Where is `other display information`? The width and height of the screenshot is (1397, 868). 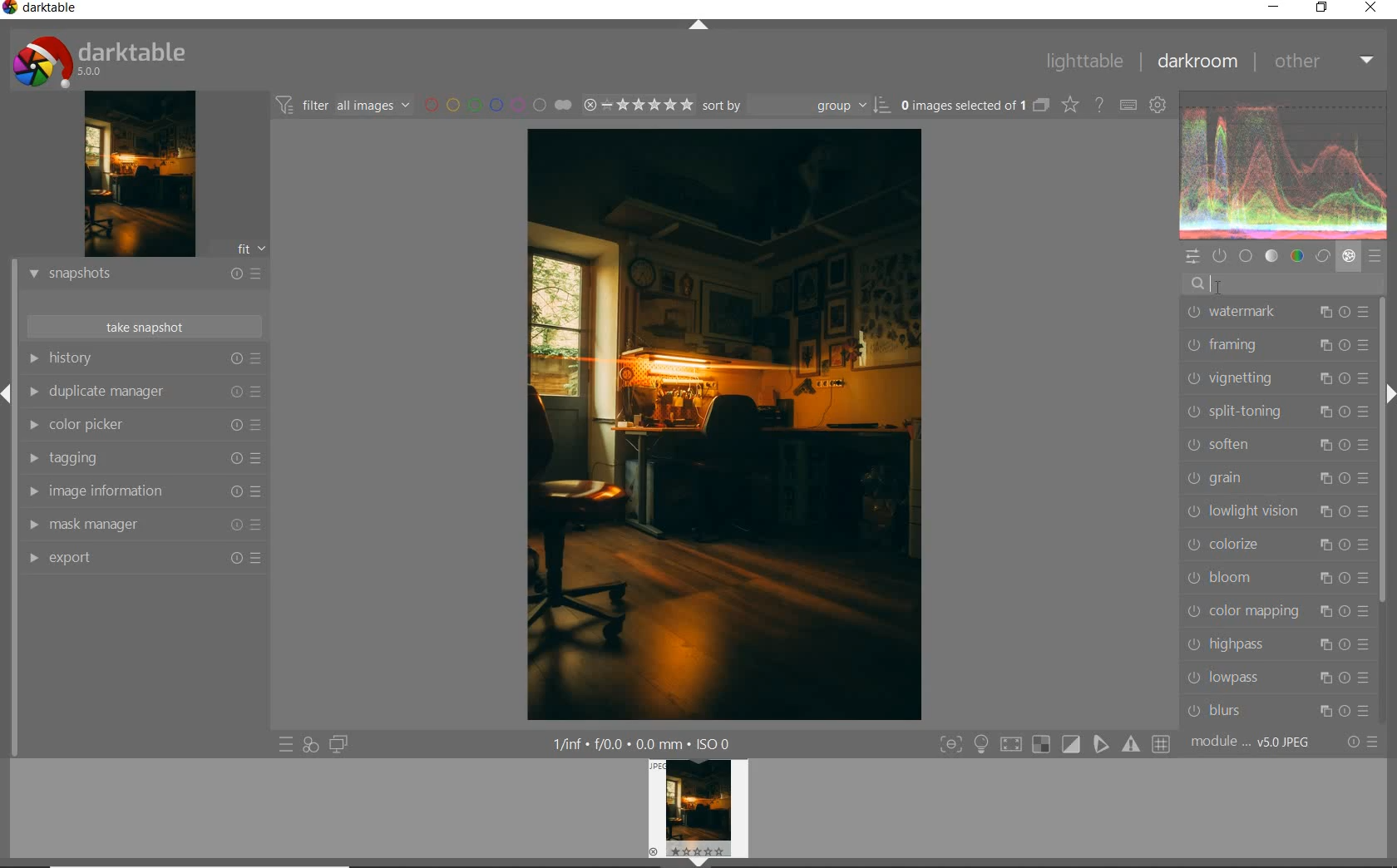
other display information is located at coordinates (643, 742).